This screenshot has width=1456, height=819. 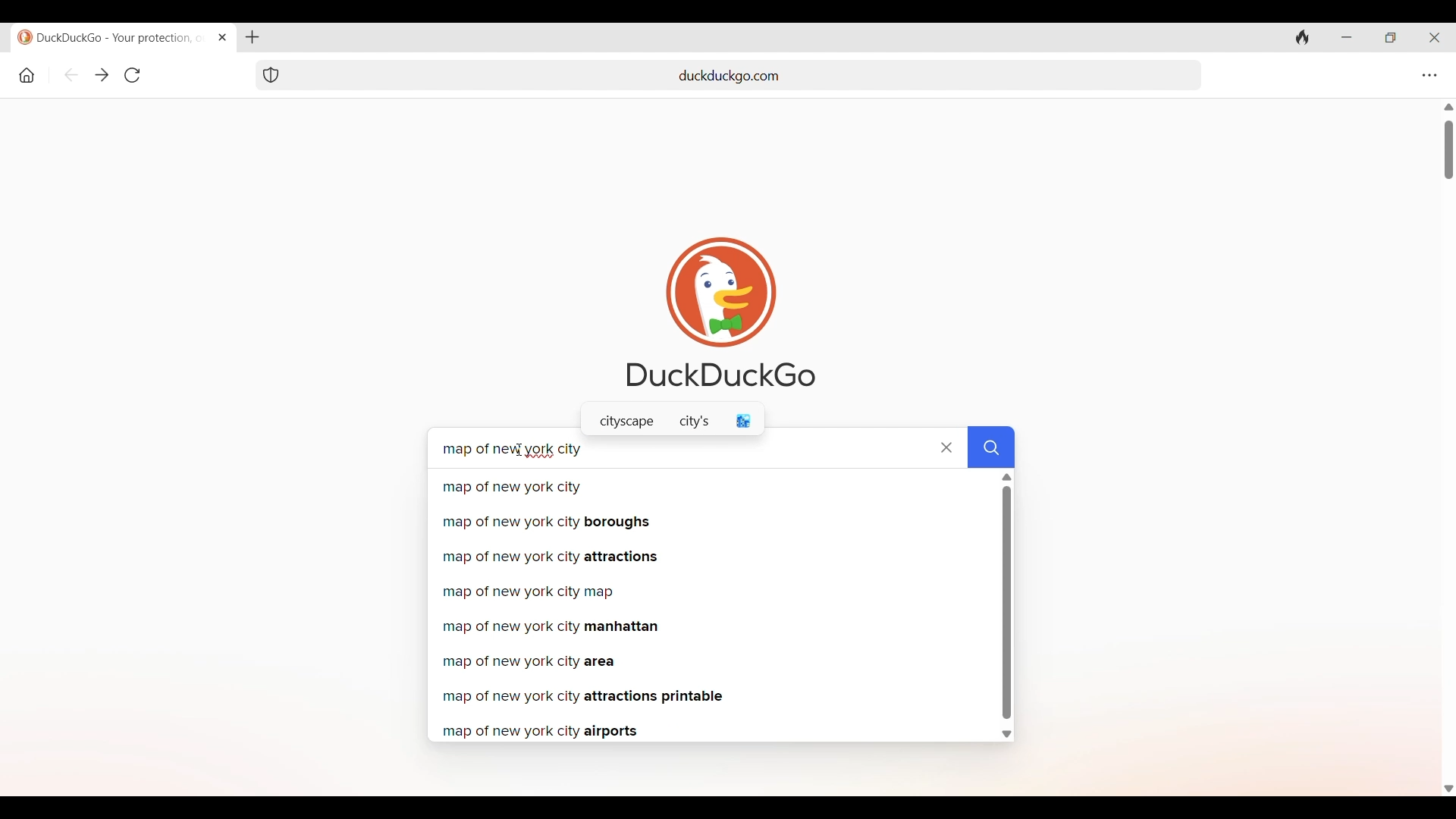 I want to click on Clear browsing history, so click(x=1302, y=37).